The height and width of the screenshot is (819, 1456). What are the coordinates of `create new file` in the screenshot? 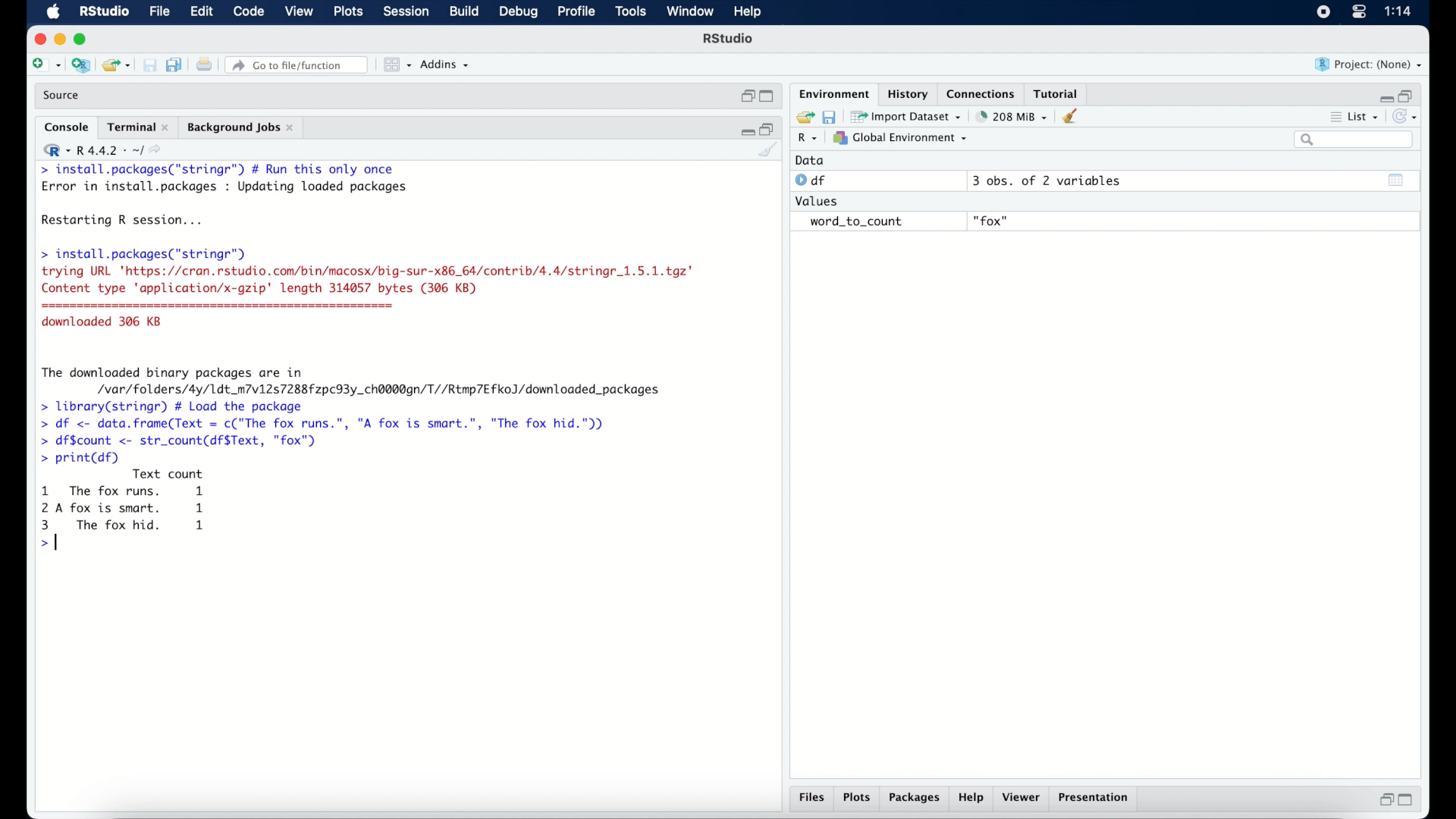 It's located at (45, 66).